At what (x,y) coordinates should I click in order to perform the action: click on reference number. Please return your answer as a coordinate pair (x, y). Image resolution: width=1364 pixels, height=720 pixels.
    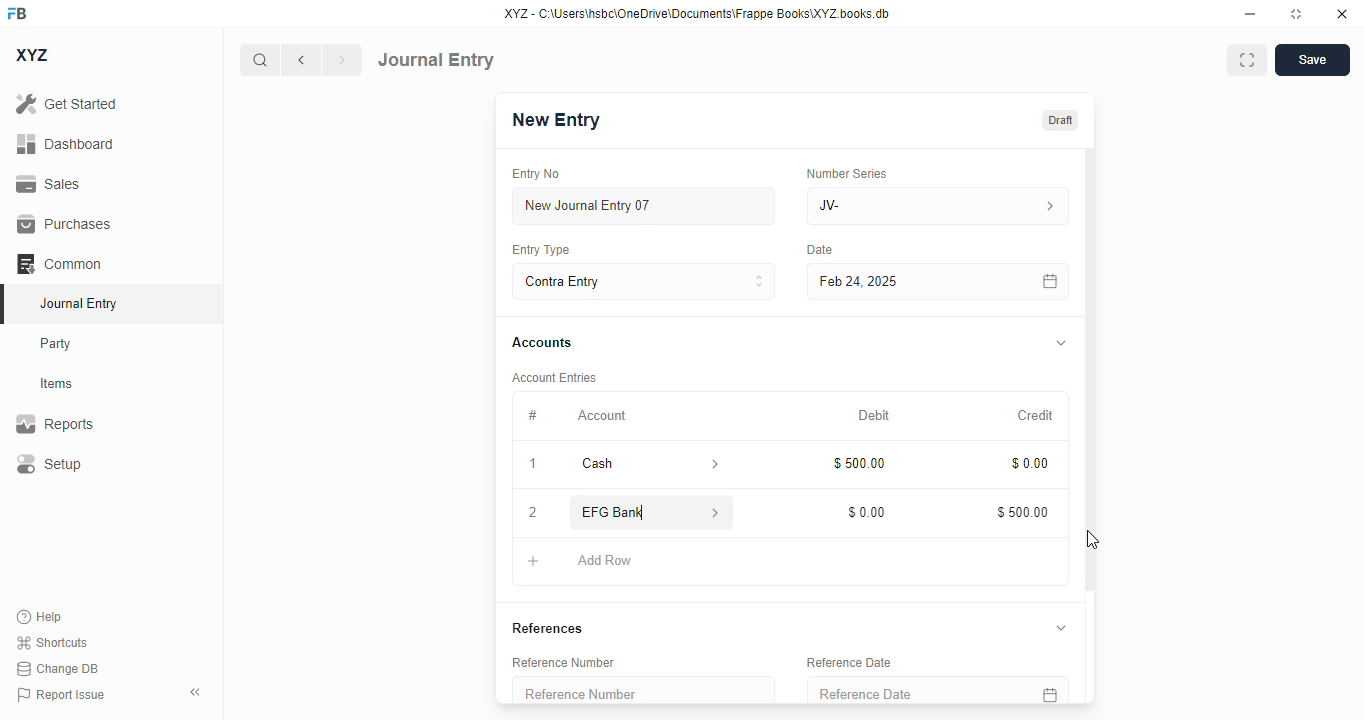
    Looking at the image, I should click on (562, 661).